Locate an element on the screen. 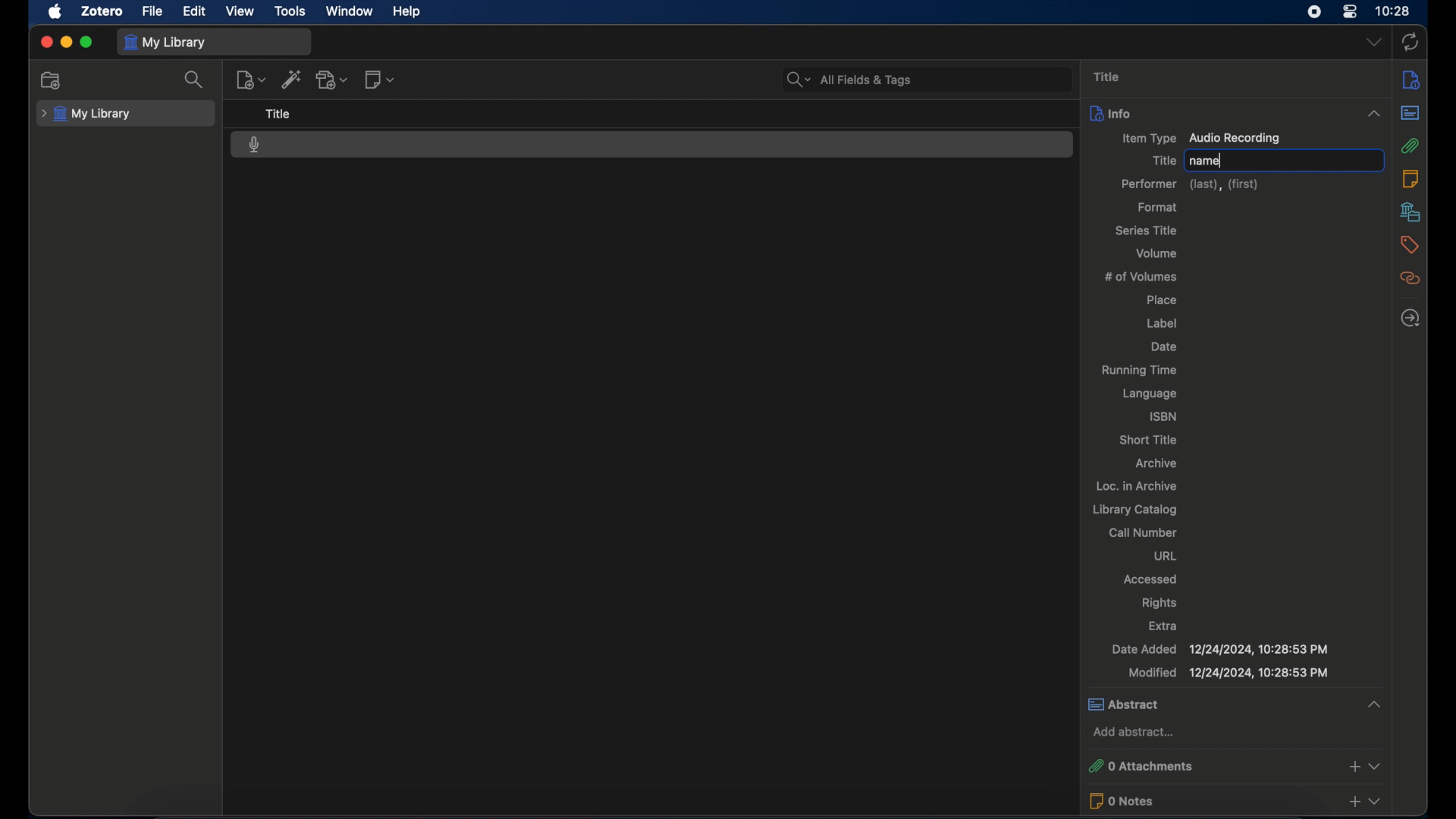 Image resolution: width=1456 pixels, height=819 pixels. maximize is located at coordinates (86, 42).